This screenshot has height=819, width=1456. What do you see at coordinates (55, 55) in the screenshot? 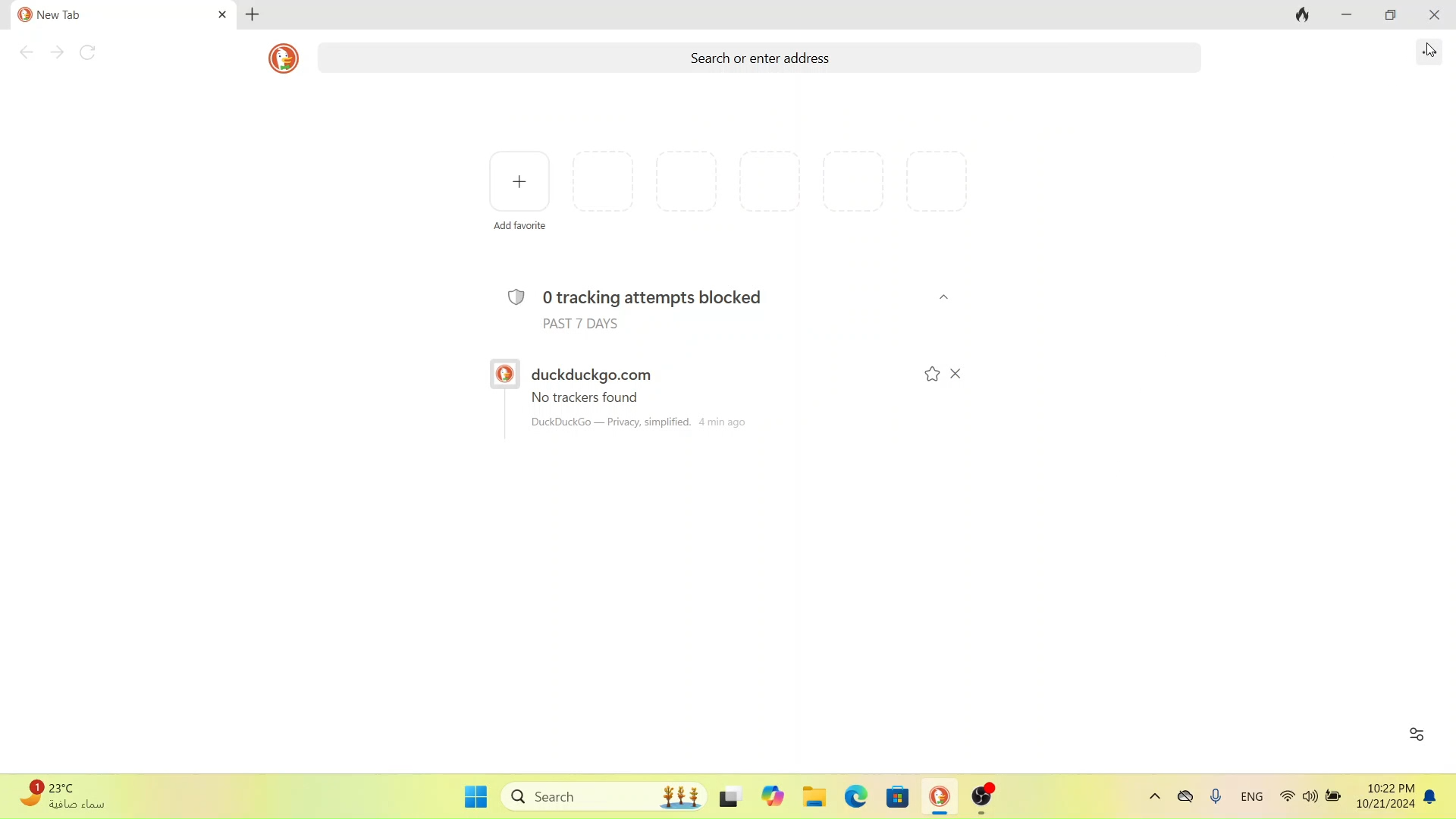
I see `go to next page` at bounding box center [55, 55].